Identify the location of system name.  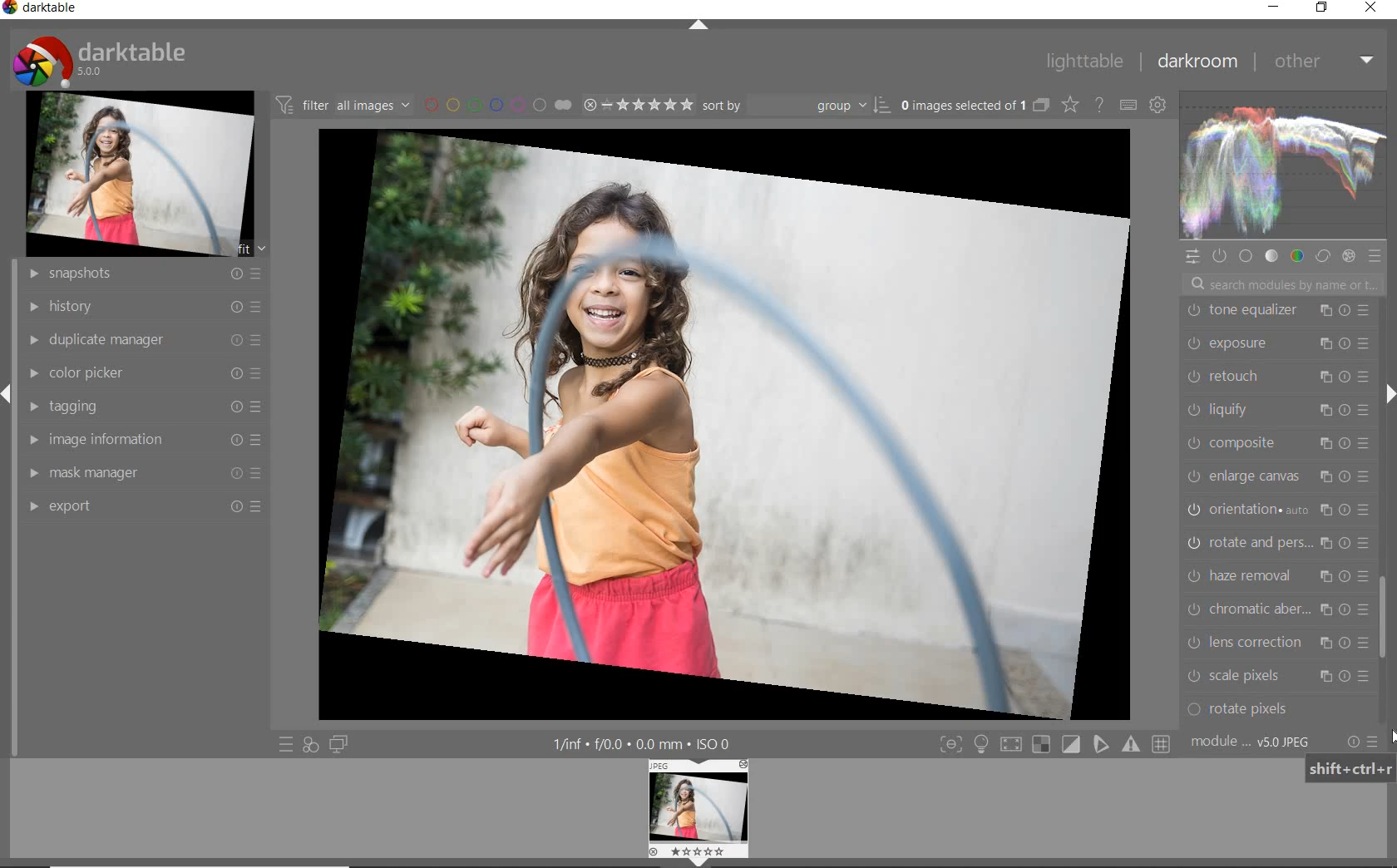
(42, 10).